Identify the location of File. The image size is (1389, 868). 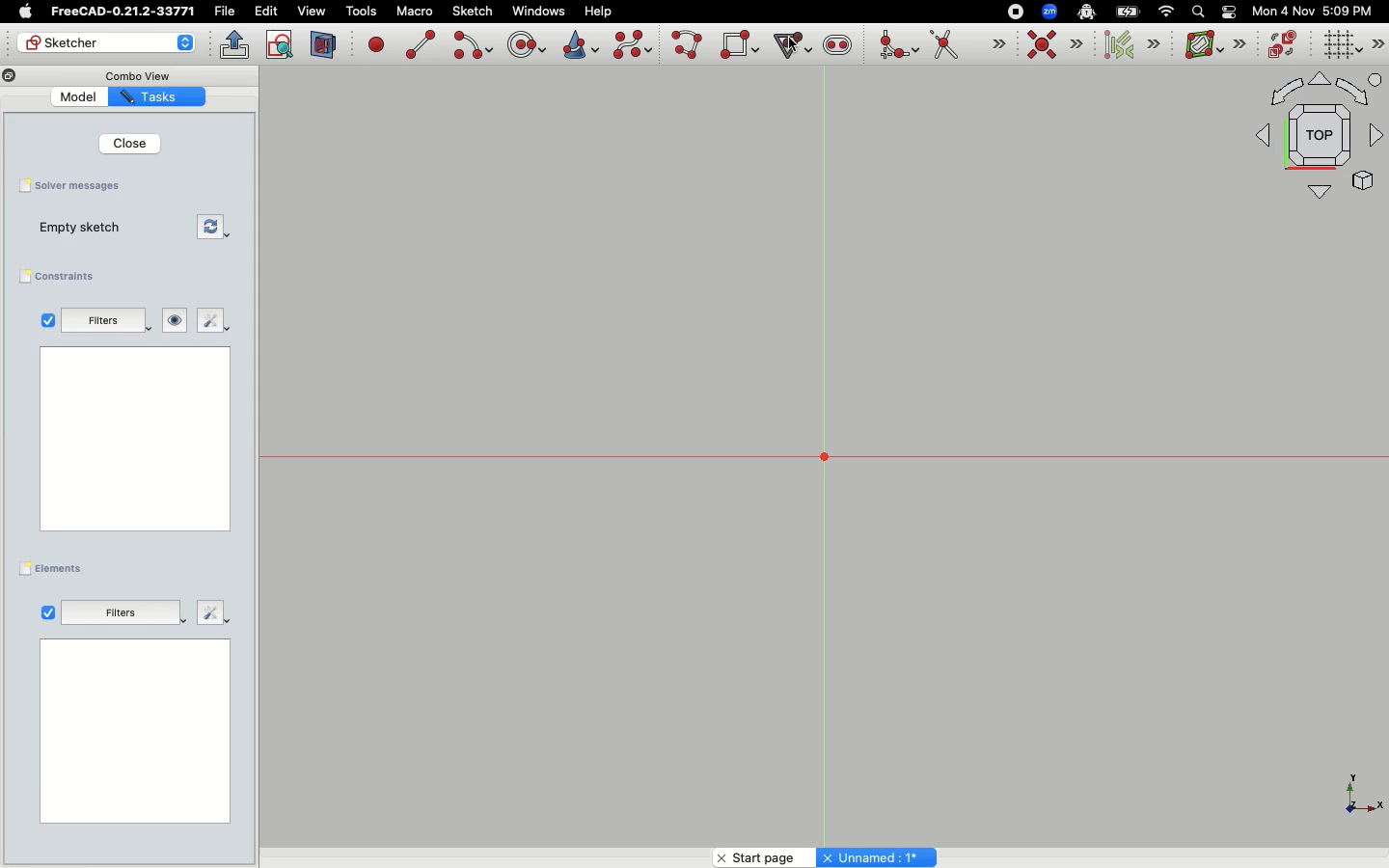
(227, 12).